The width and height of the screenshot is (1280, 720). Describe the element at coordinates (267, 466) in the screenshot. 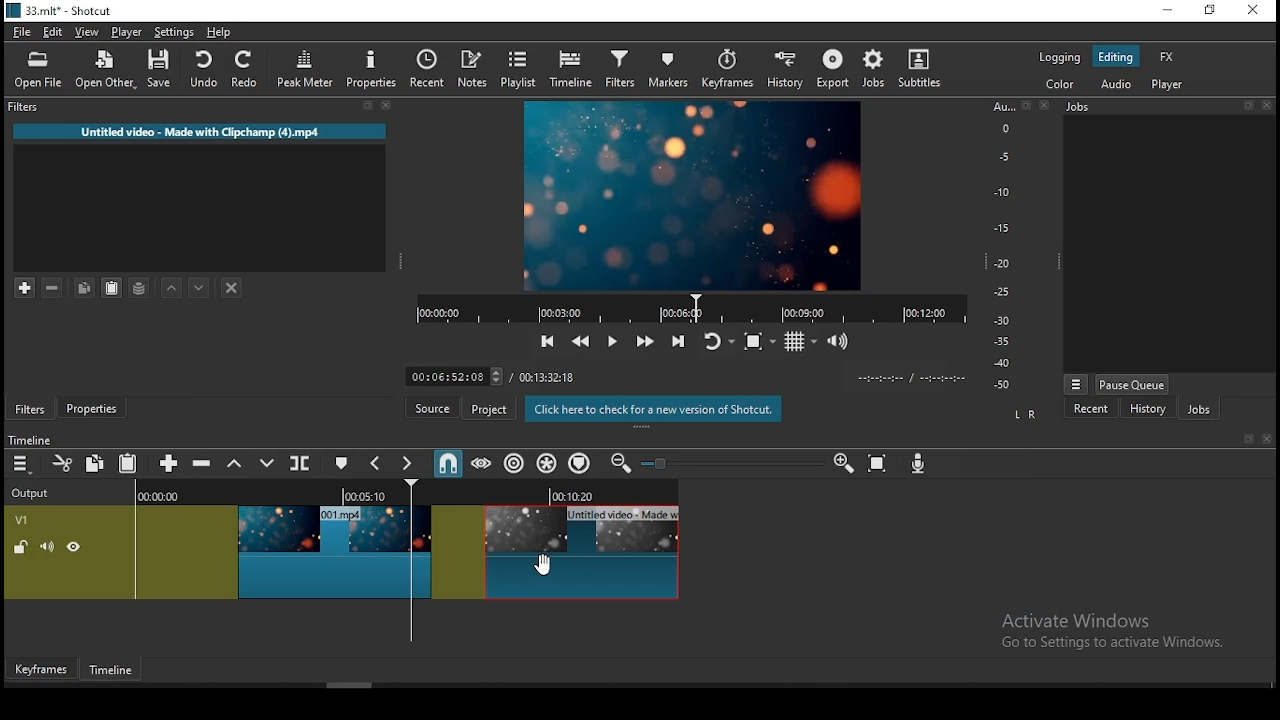

I see `overwrite` at that location.